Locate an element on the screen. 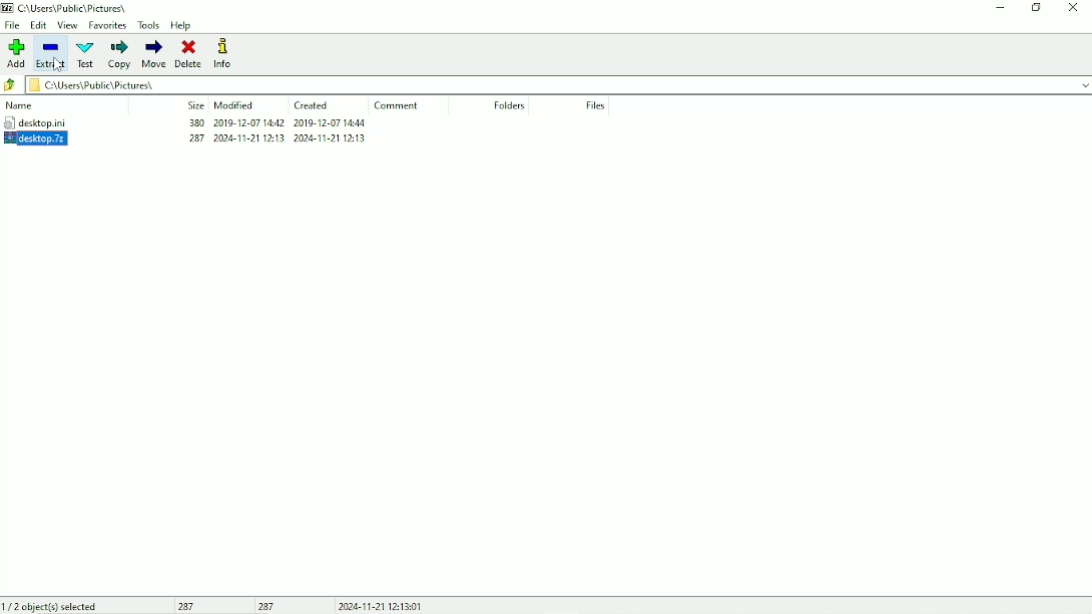 This screenshot has width=1092, height=614. Minimize is located at coordinates (998, 9).